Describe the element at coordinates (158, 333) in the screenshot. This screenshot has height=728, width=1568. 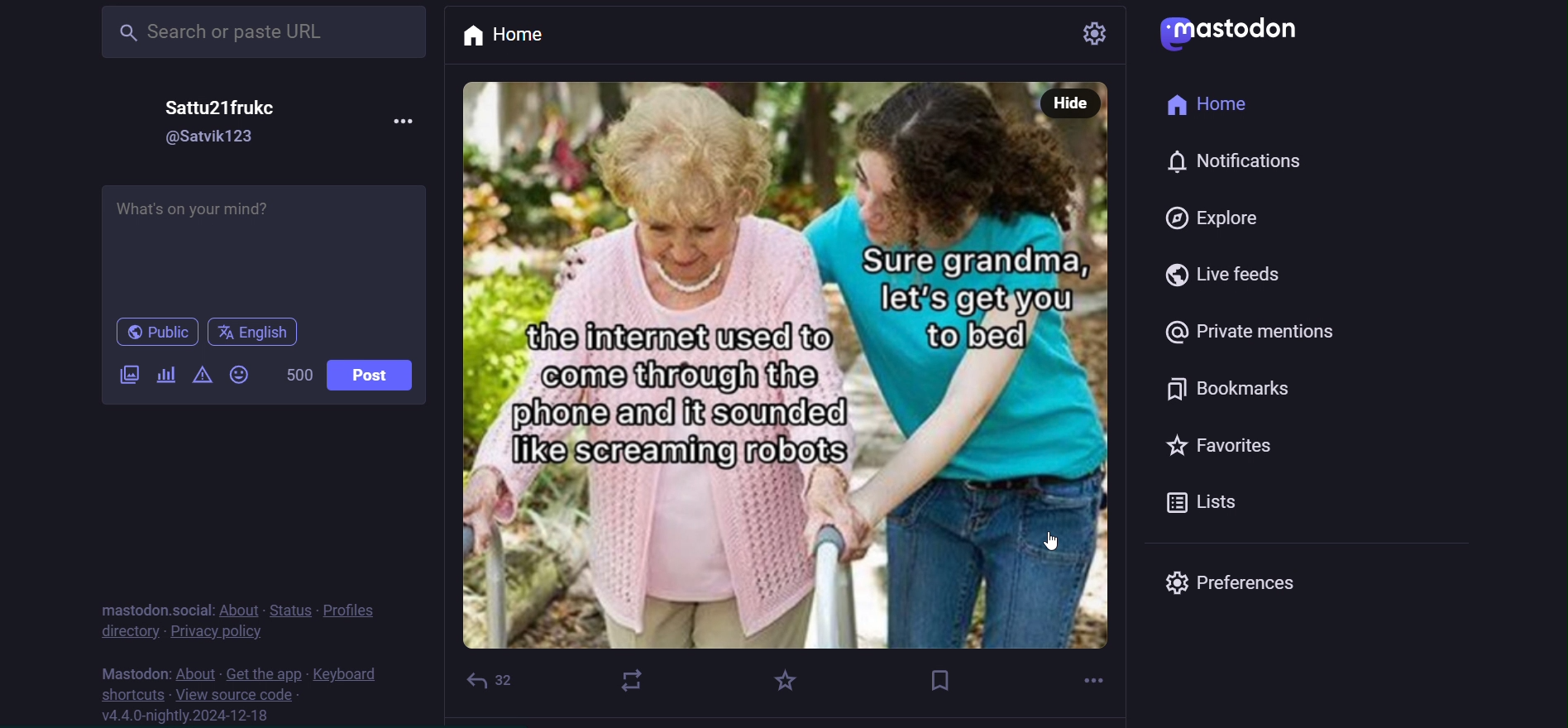
I see `public` at that location.